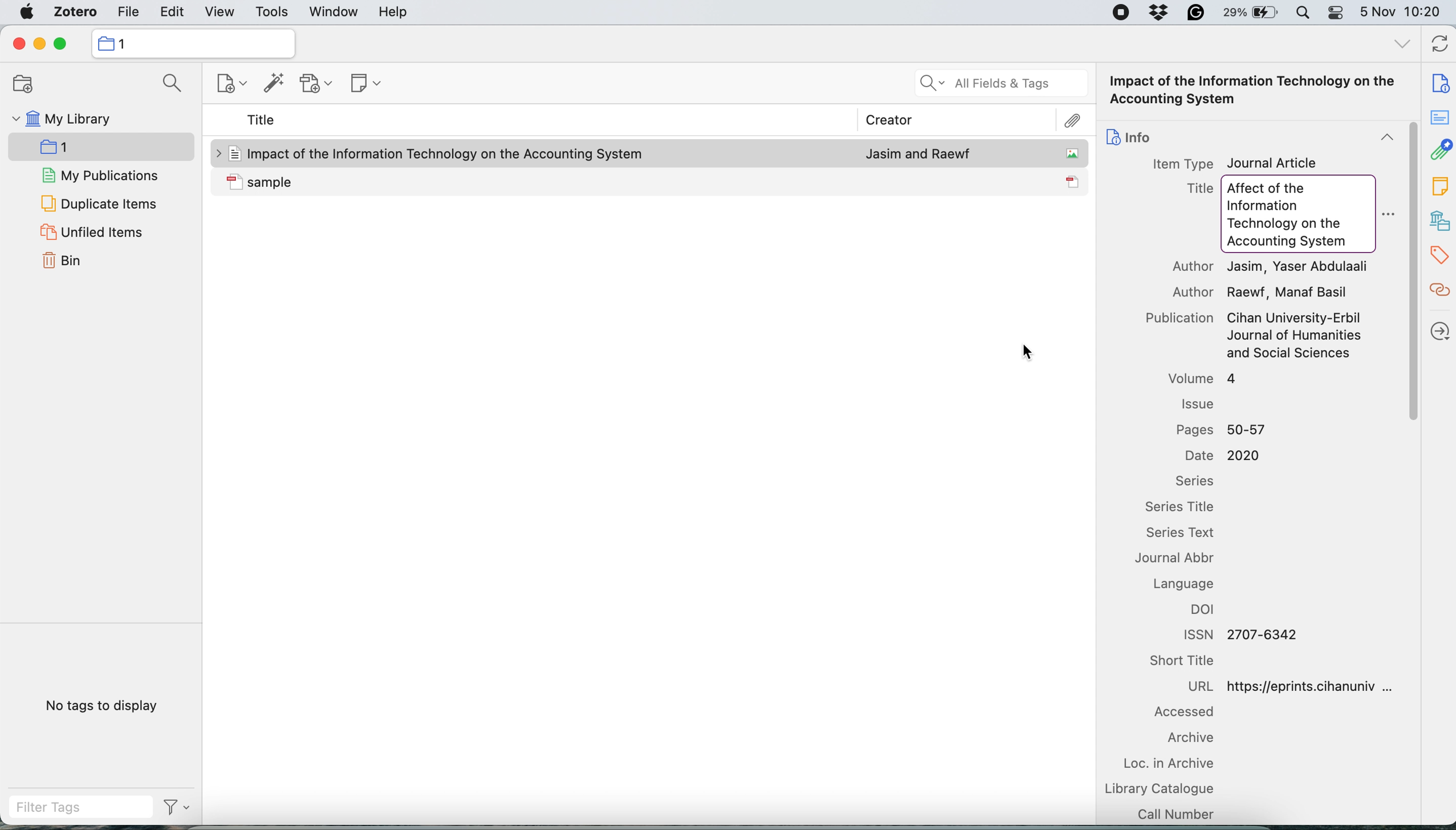  I want to click on attachment, so click(1072, 121).